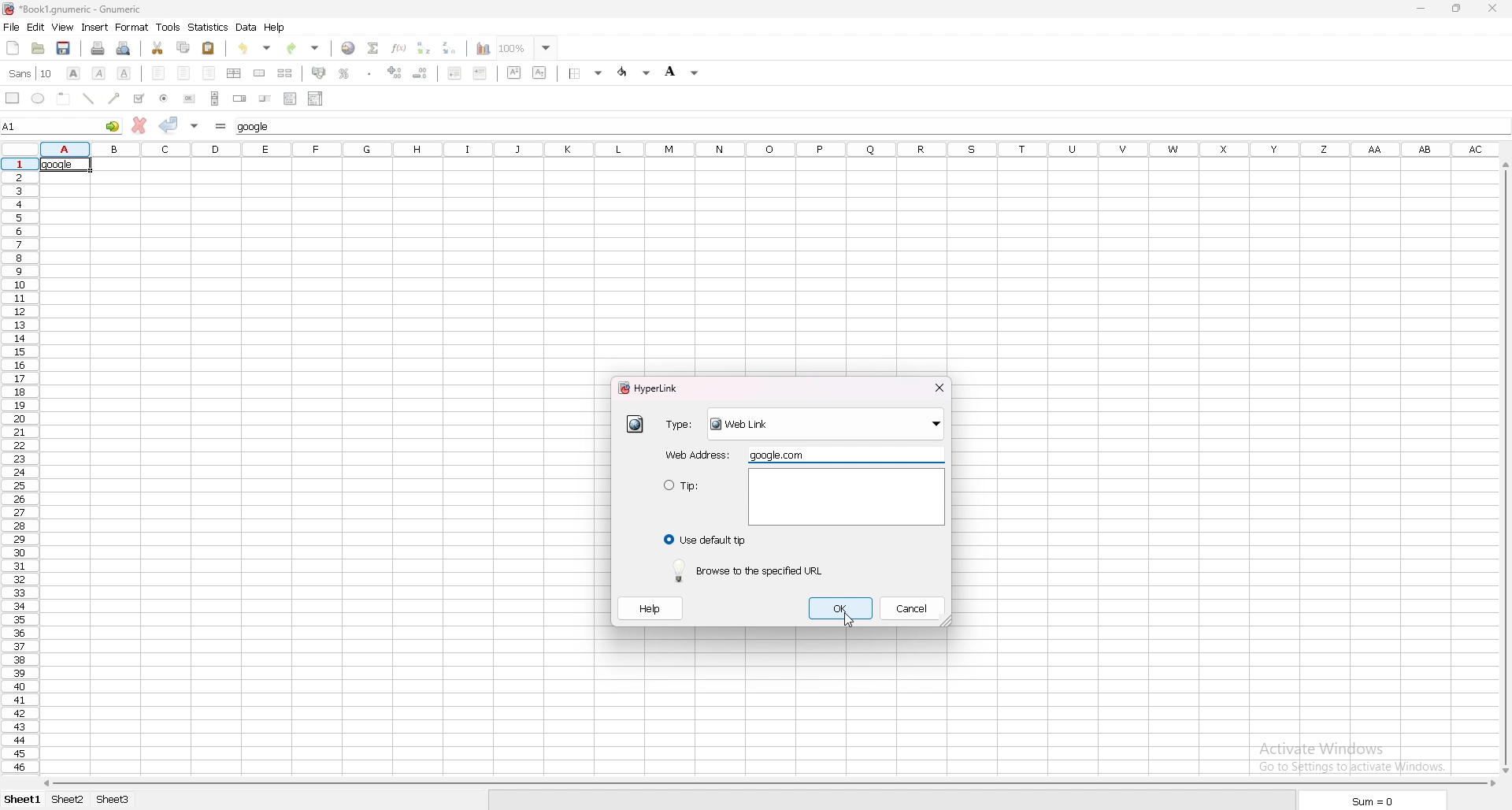 The width and height of the screenshot is (1512, 810). What do you see at coordinates (348, 48) in the screenshot?
I see `hyperlink` at bounding box center [348, 48].